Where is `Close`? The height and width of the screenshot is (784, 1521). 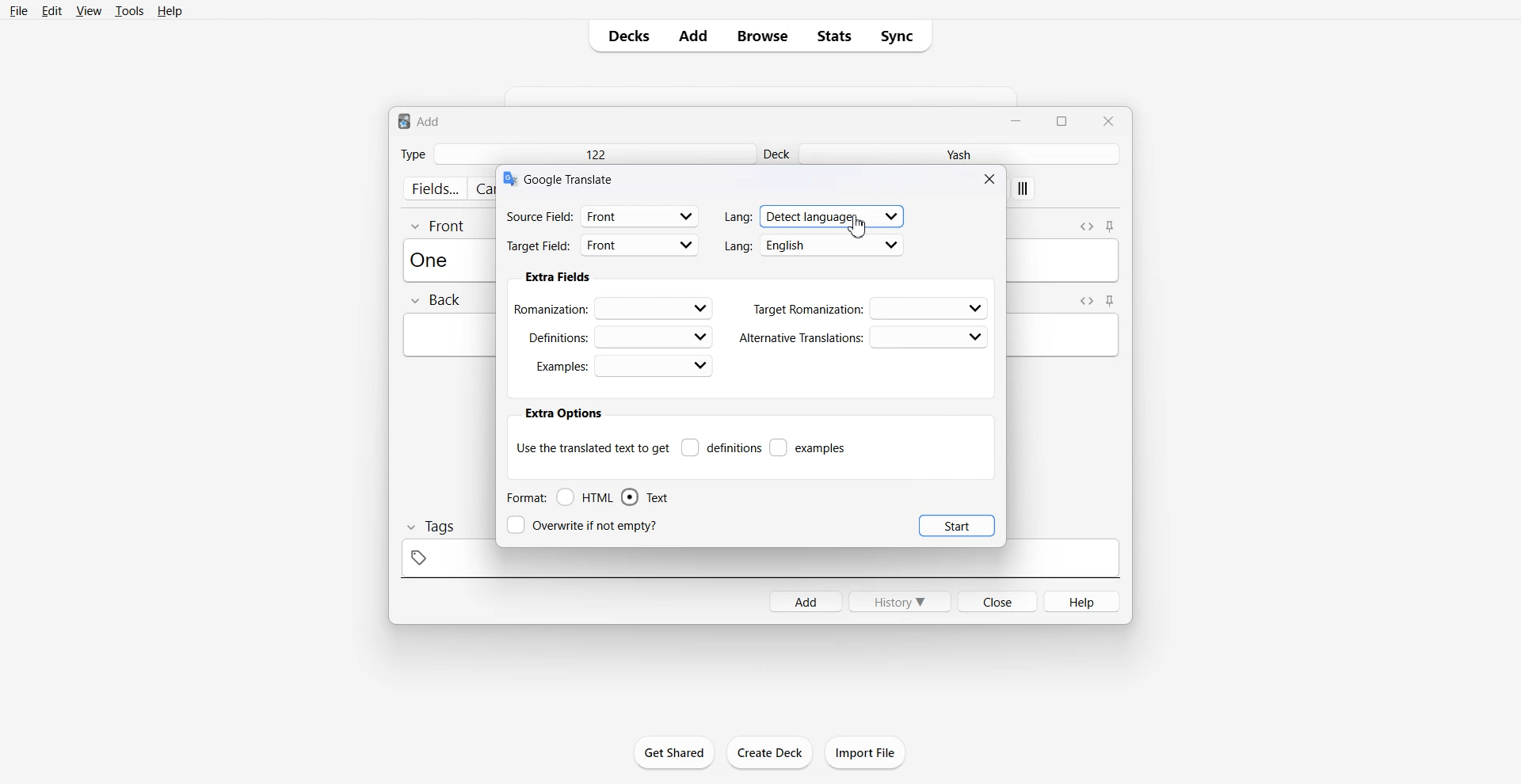 Close is located at coordinates (1107, 120).